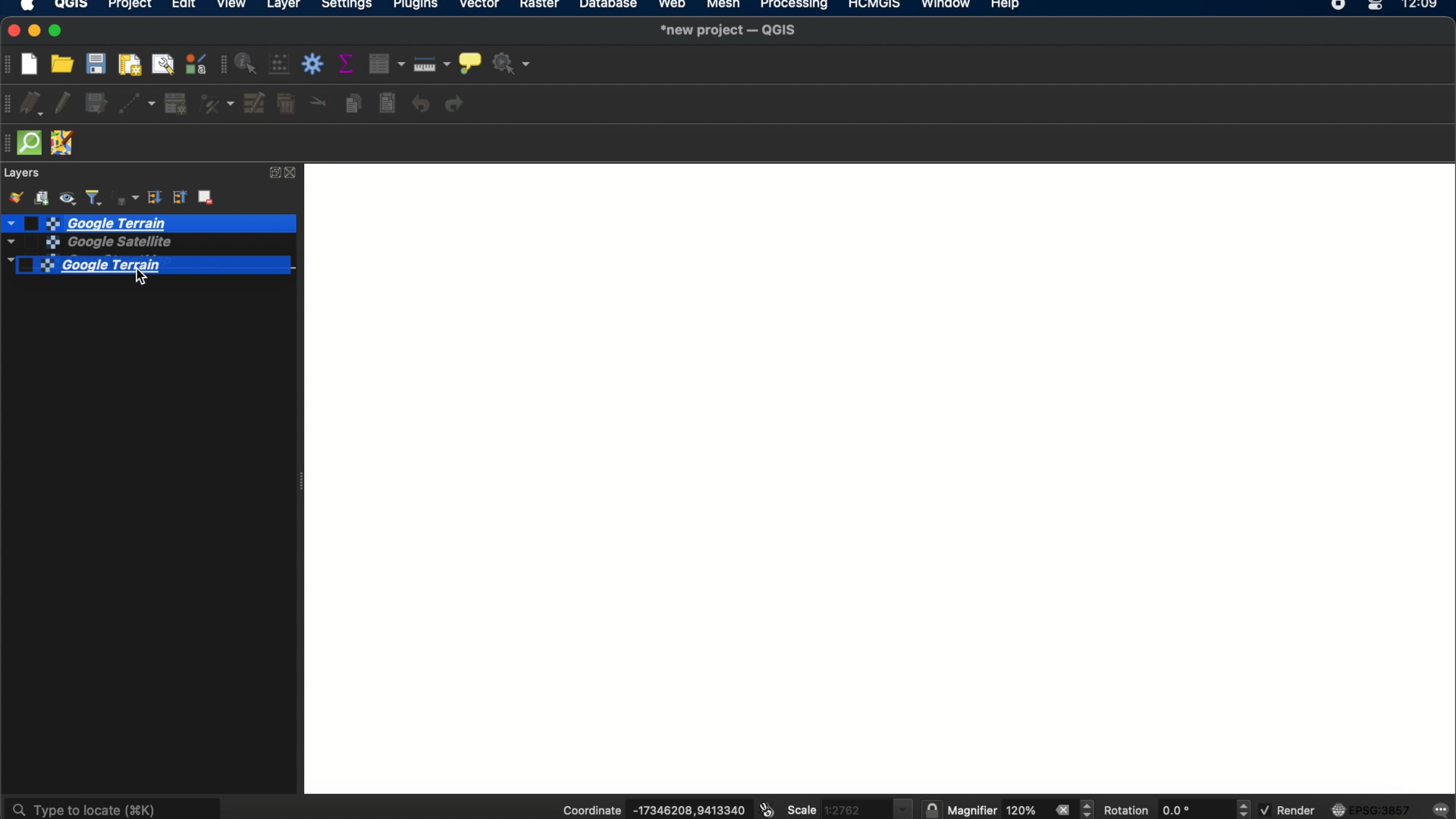 The width and height of the screenshot is (1456, 819). Describe the element at coordinates (64, 144) in the screenshot. I see `JOSM remote` at that location.